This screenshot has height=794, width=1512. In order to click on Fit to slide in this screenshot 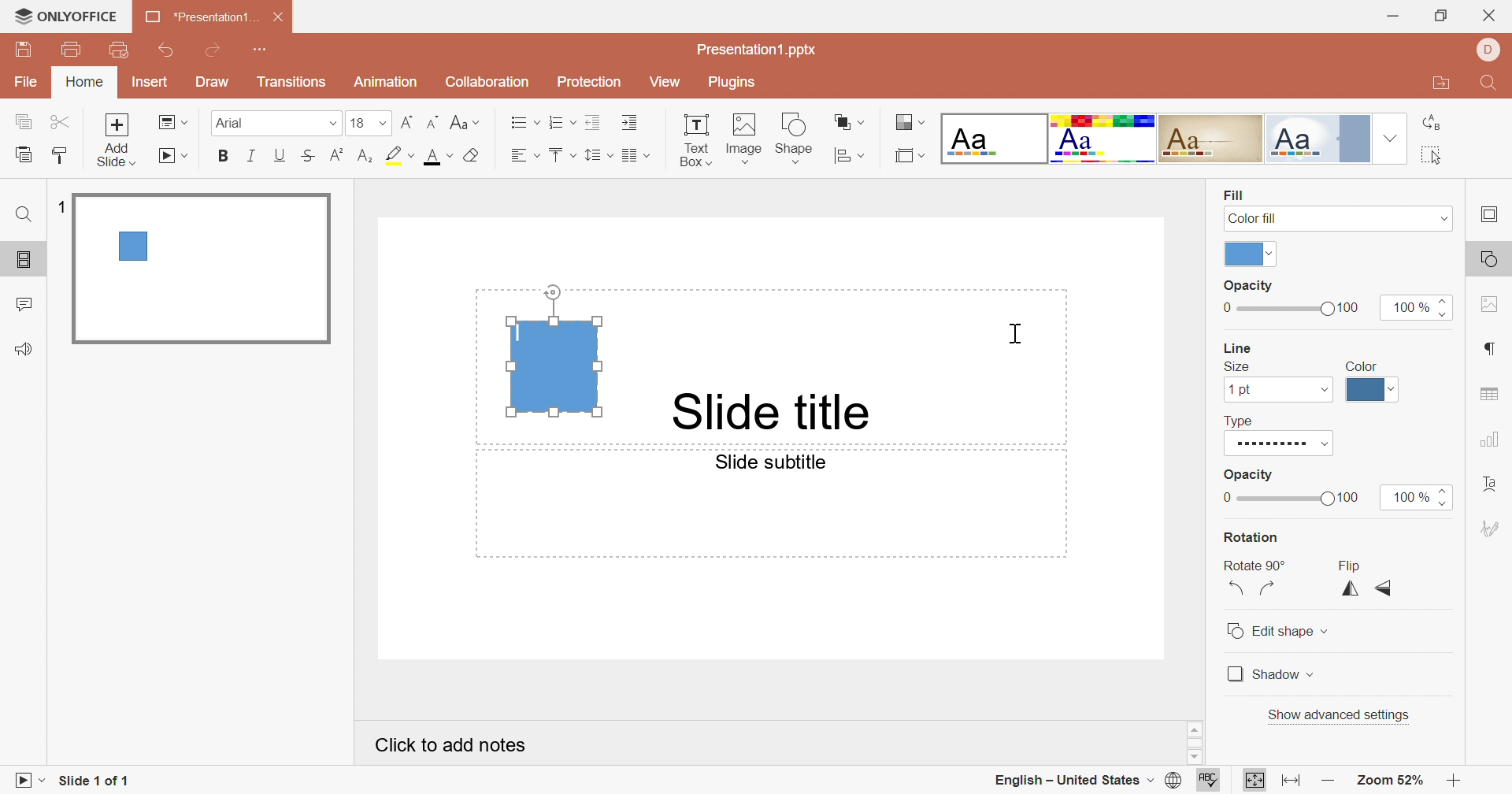, I will do `click(1254, 780)`.